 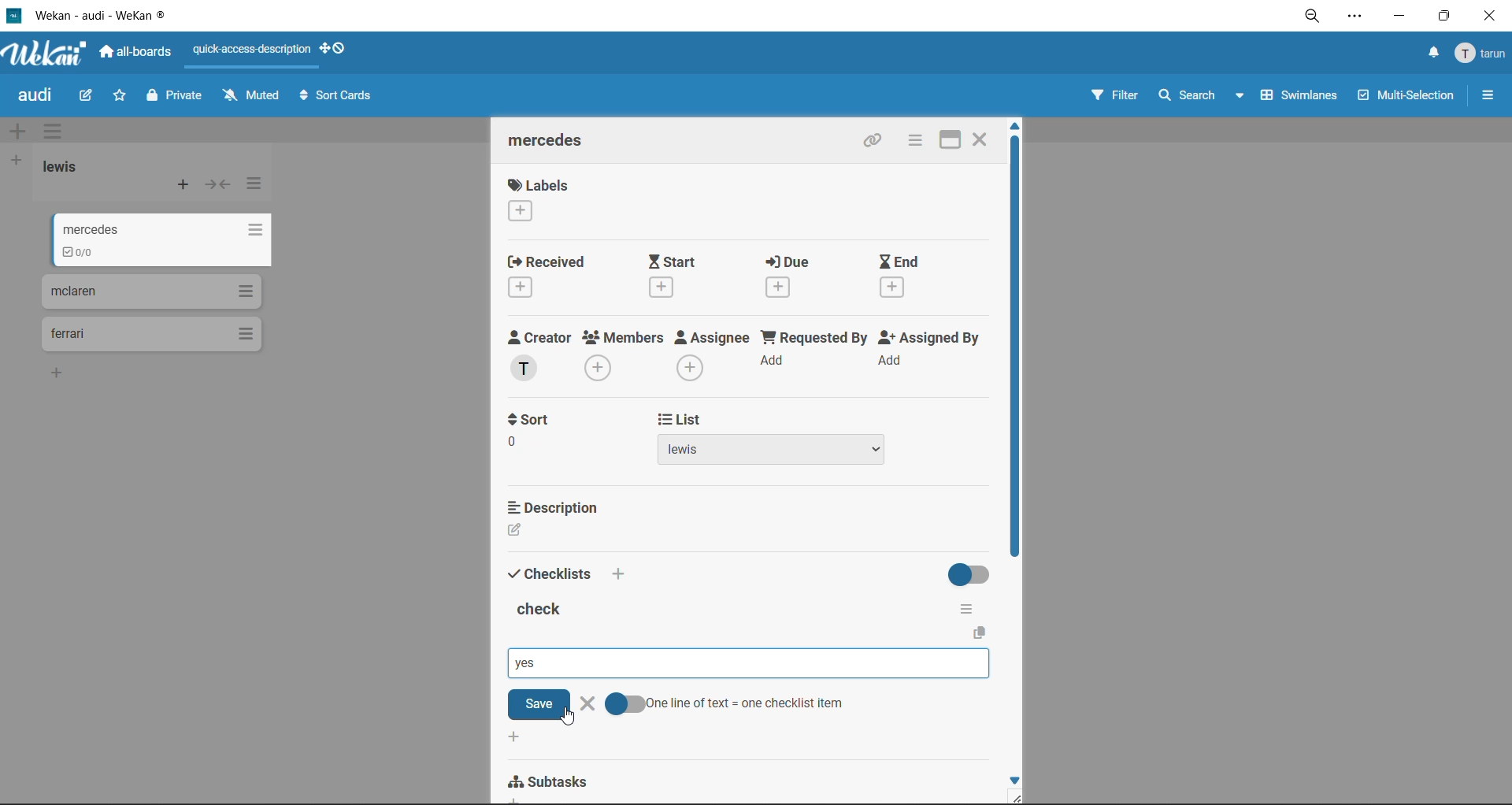 What do you see at coordinates (256, 50) in the screenshot?
I see `quick access description` at bounding box center [256, 50].